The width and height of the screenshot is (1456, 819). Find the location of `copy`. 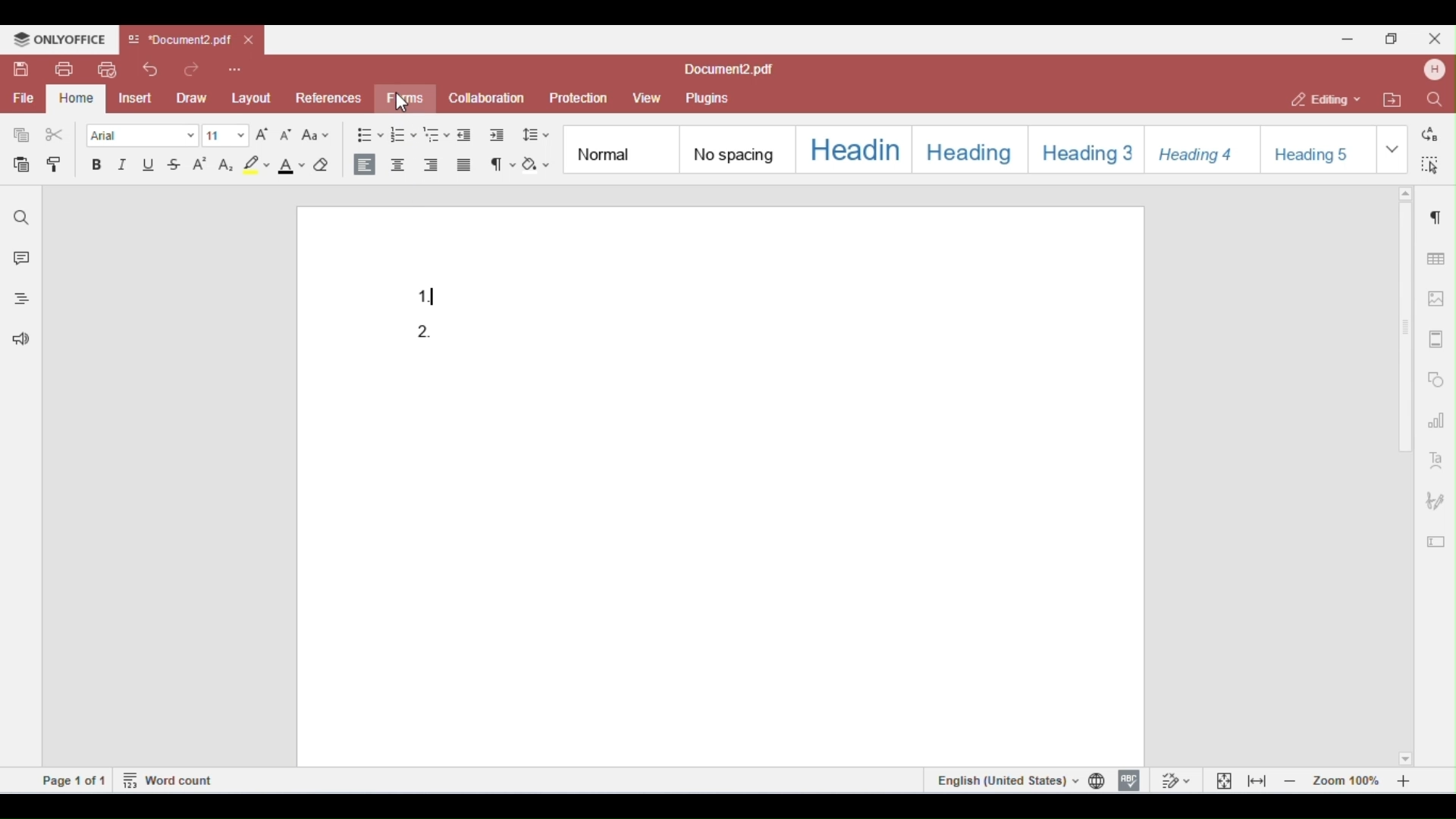

copy is located at coordinates (22, 135).